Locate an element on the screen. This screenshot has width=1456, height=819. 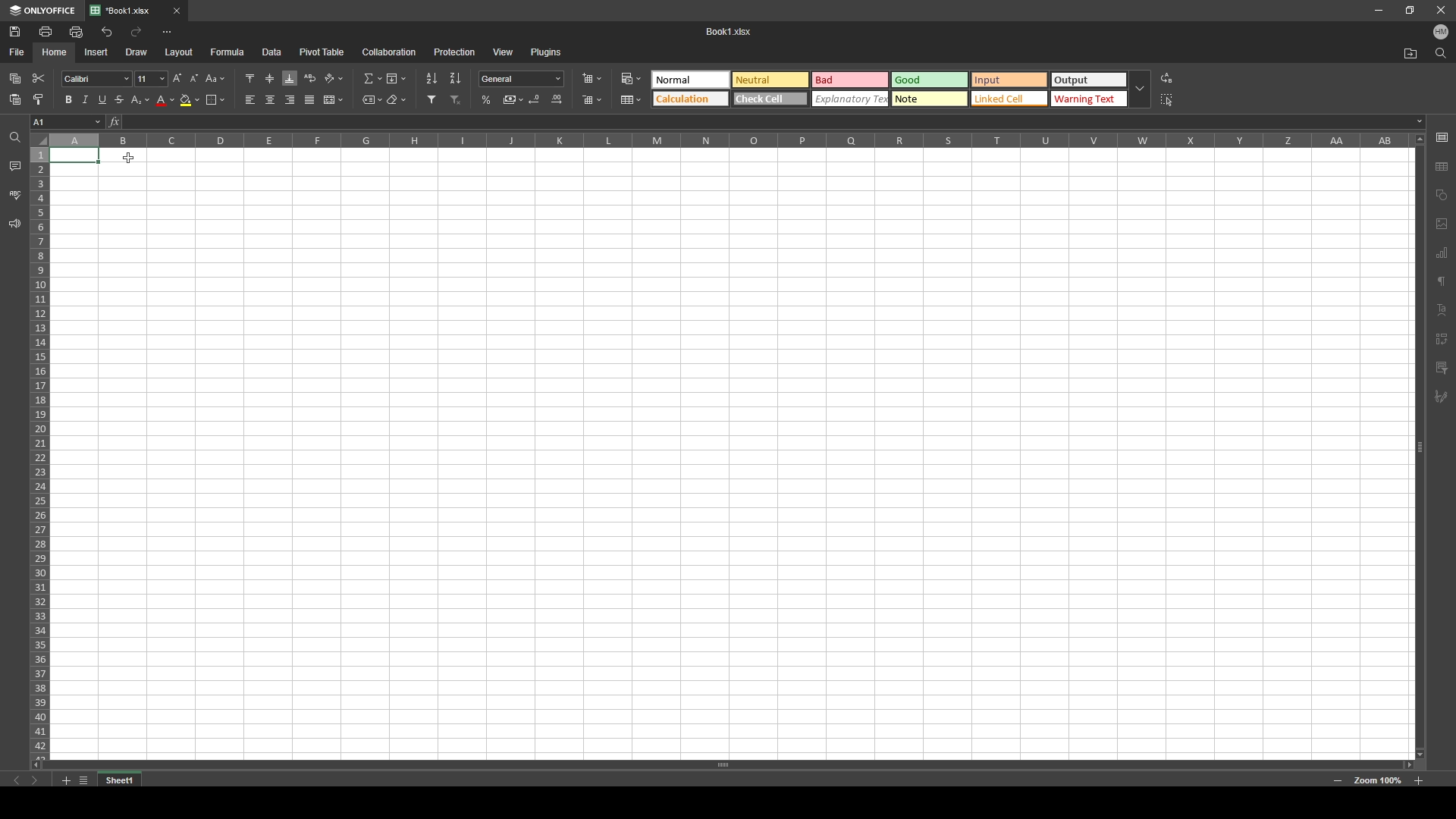
paragraph is located at coordinates (1443, 280).